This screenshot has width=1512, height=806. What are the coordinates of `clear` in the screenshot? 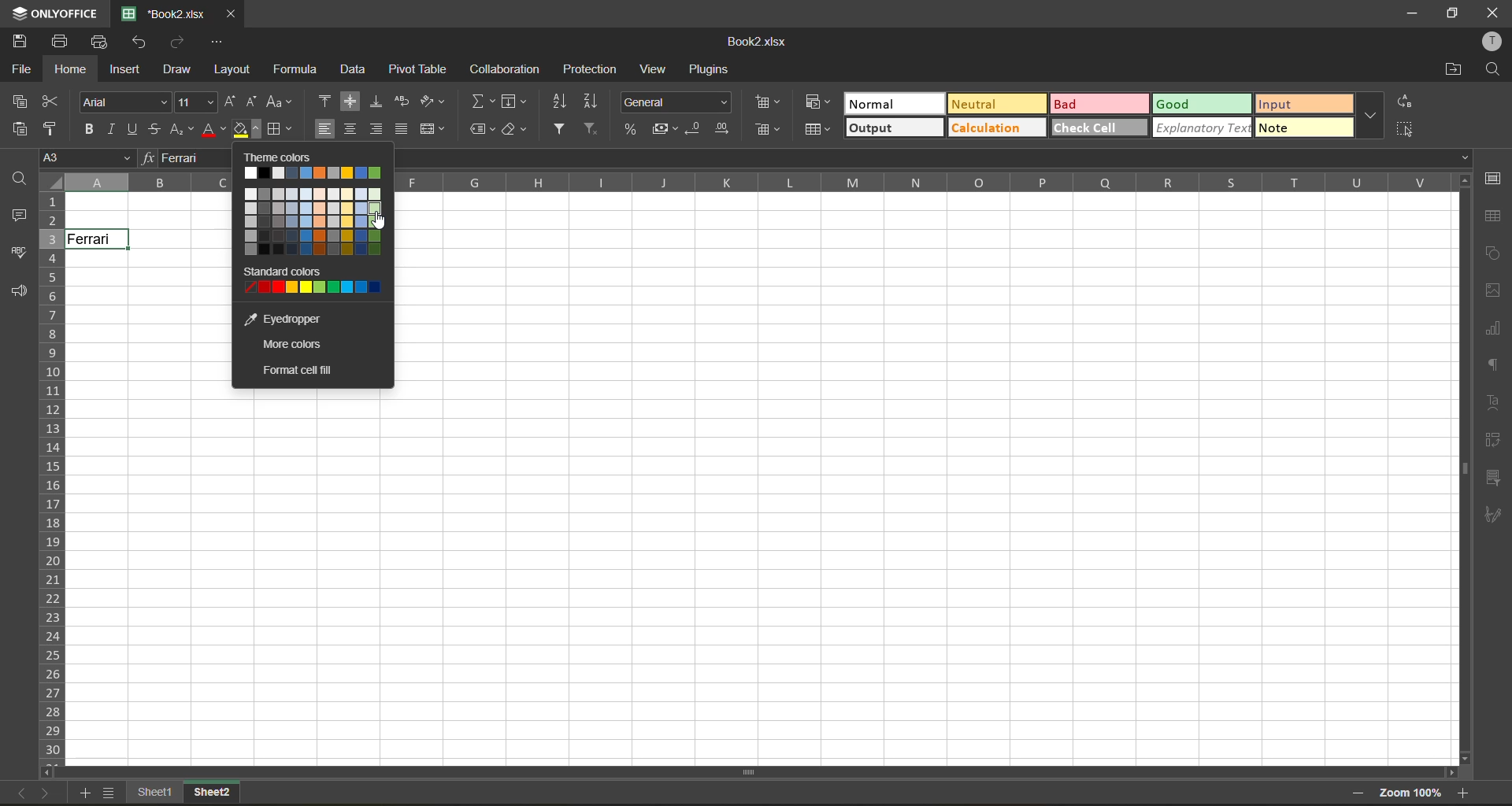 It's located at (517, 131).